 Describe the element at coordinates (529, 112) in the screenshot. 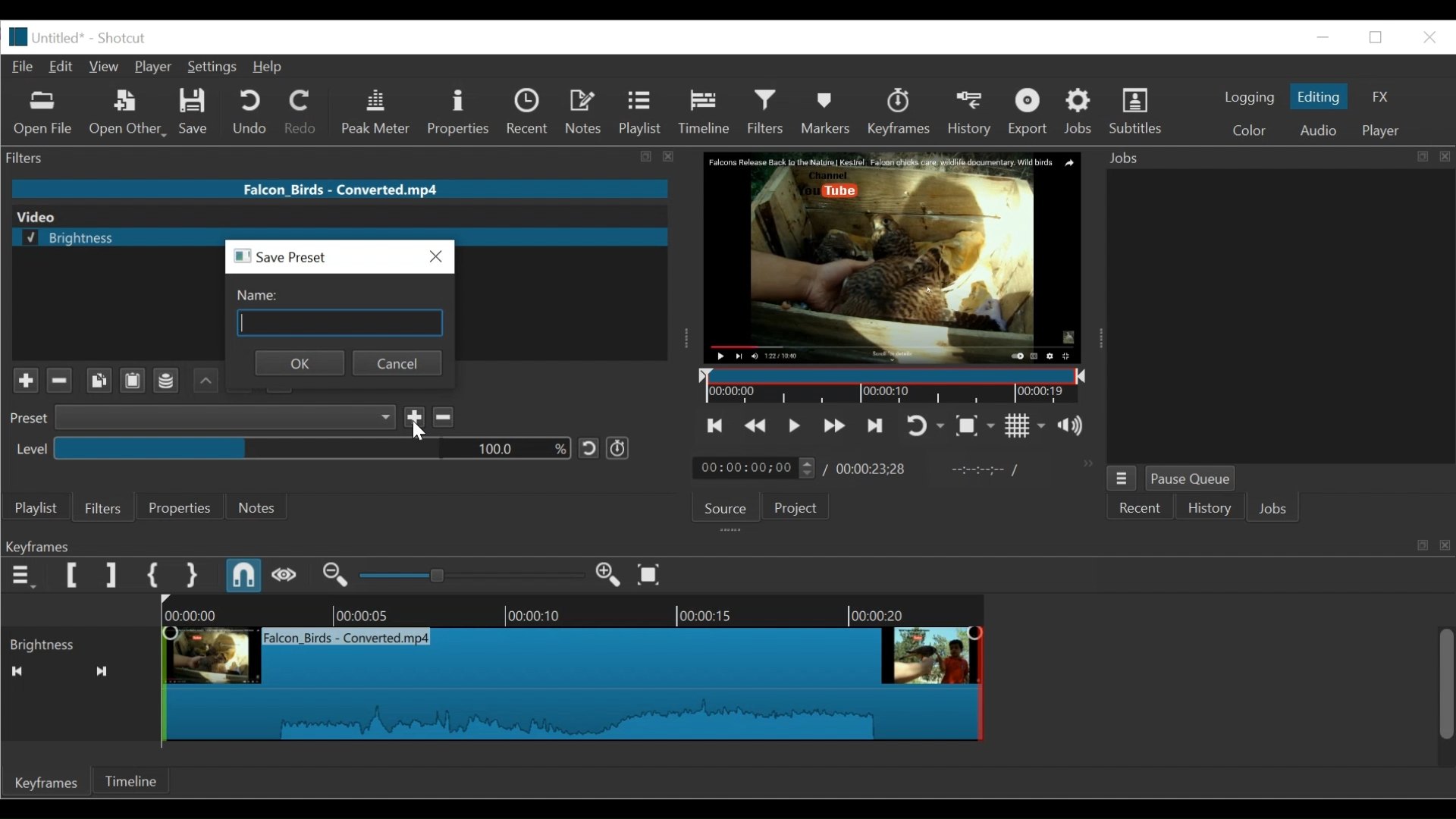

I see `Recent` at that location.